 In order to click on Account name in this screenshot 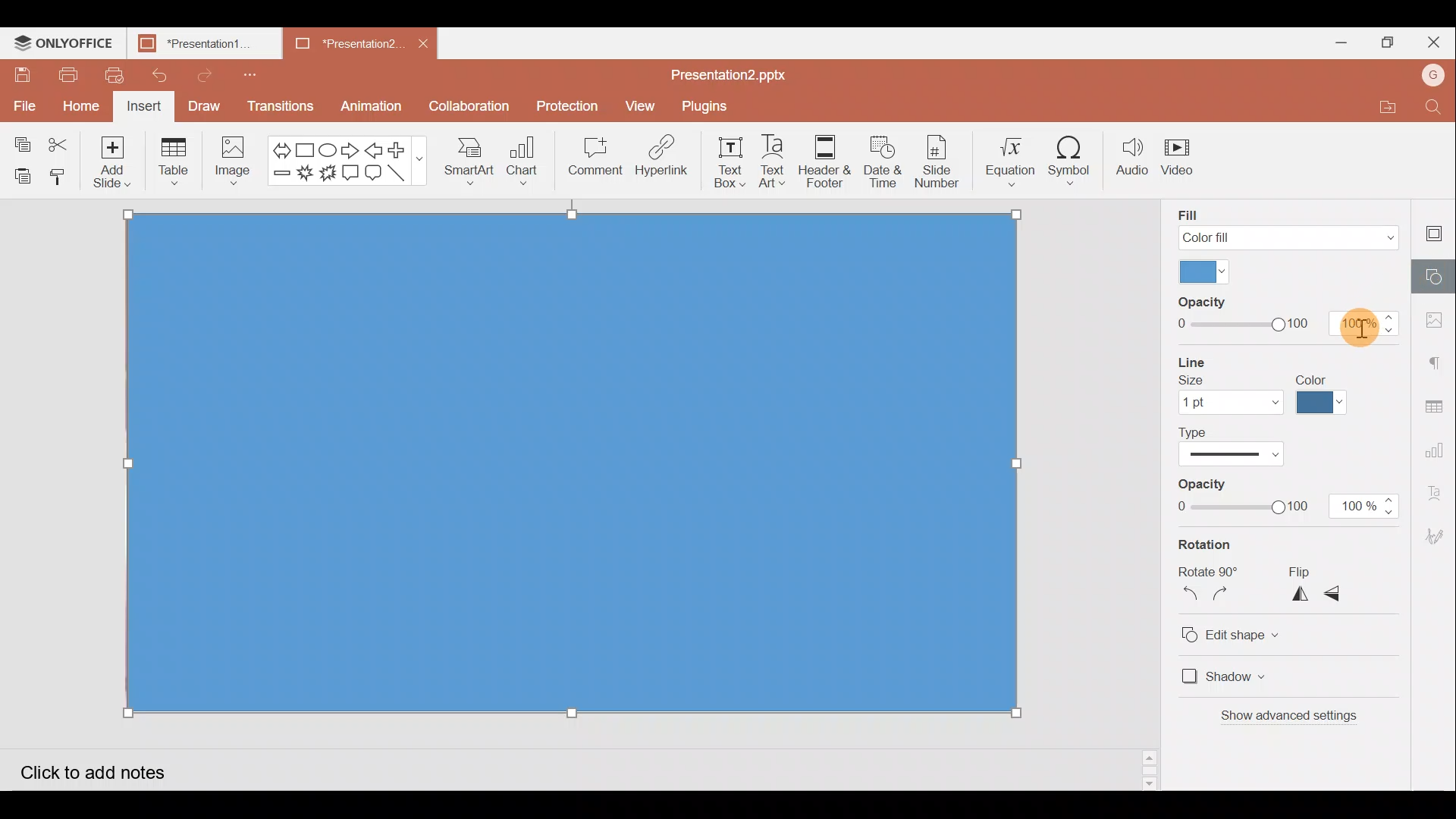, I will do `click(1435, 75)`.